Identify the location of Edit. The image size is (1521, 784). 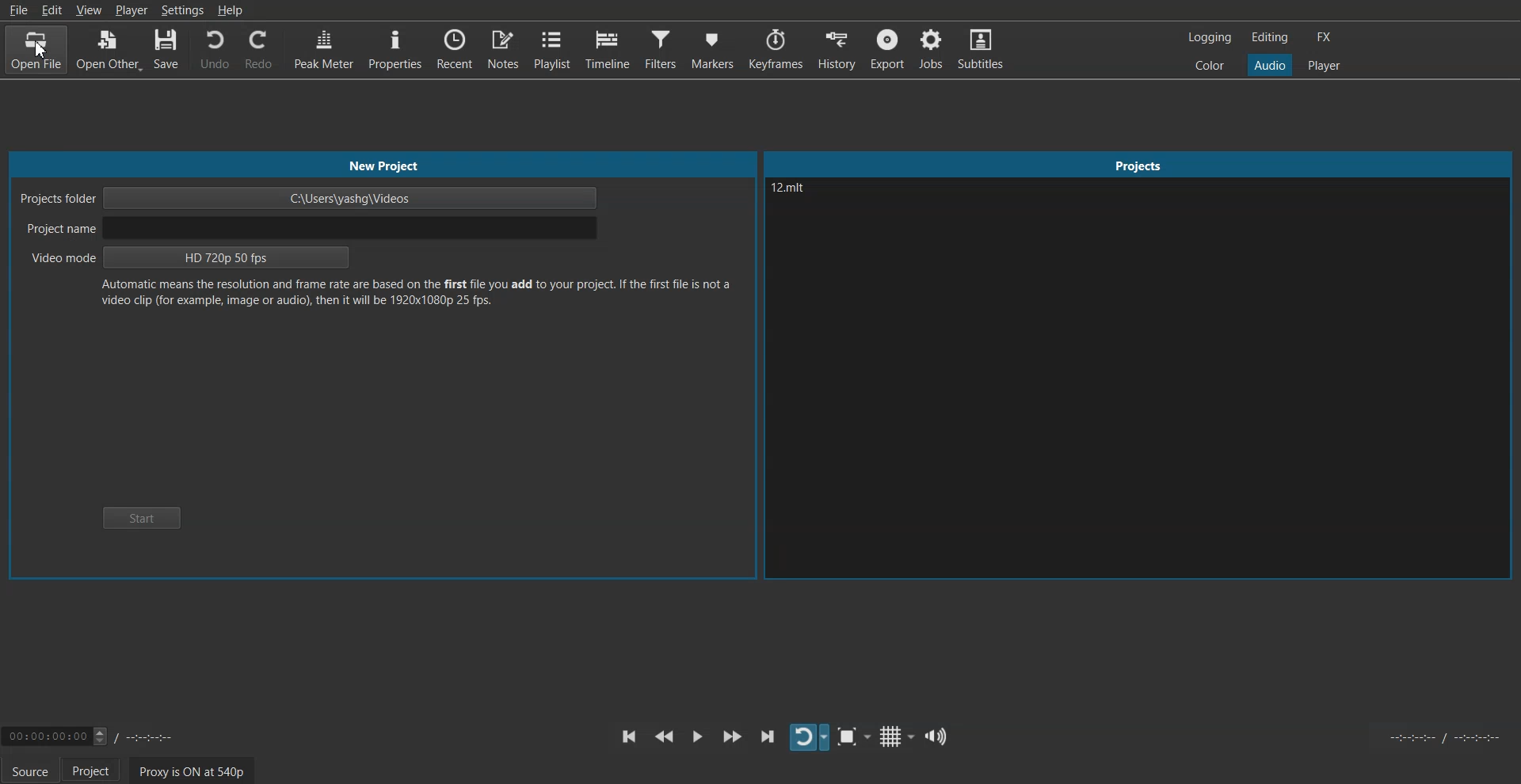
(51, 10).